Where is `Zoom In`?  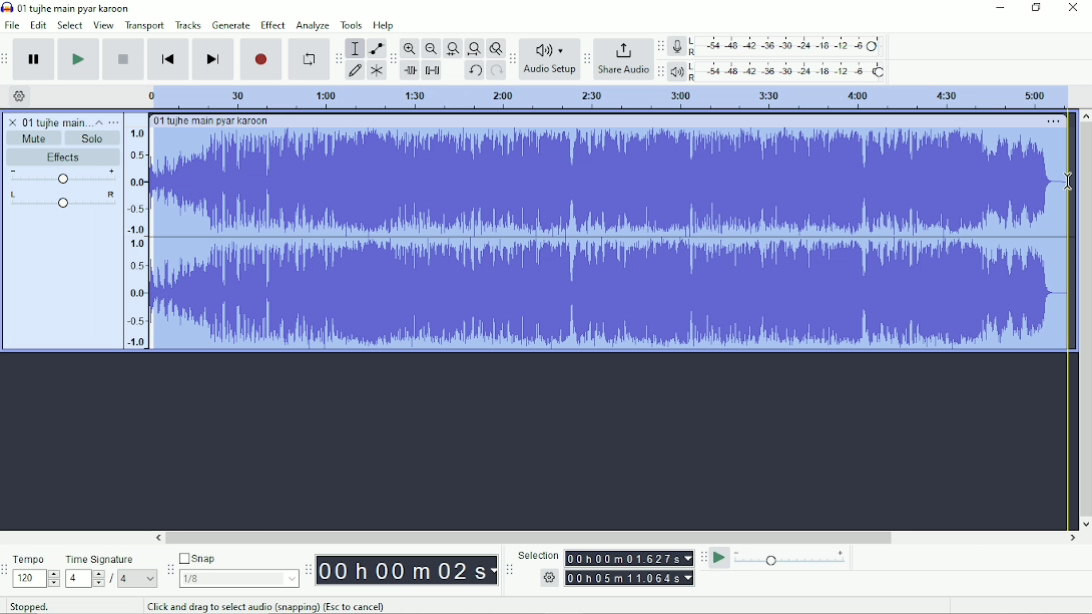 Zoom In is located at coordinates (410, 48).